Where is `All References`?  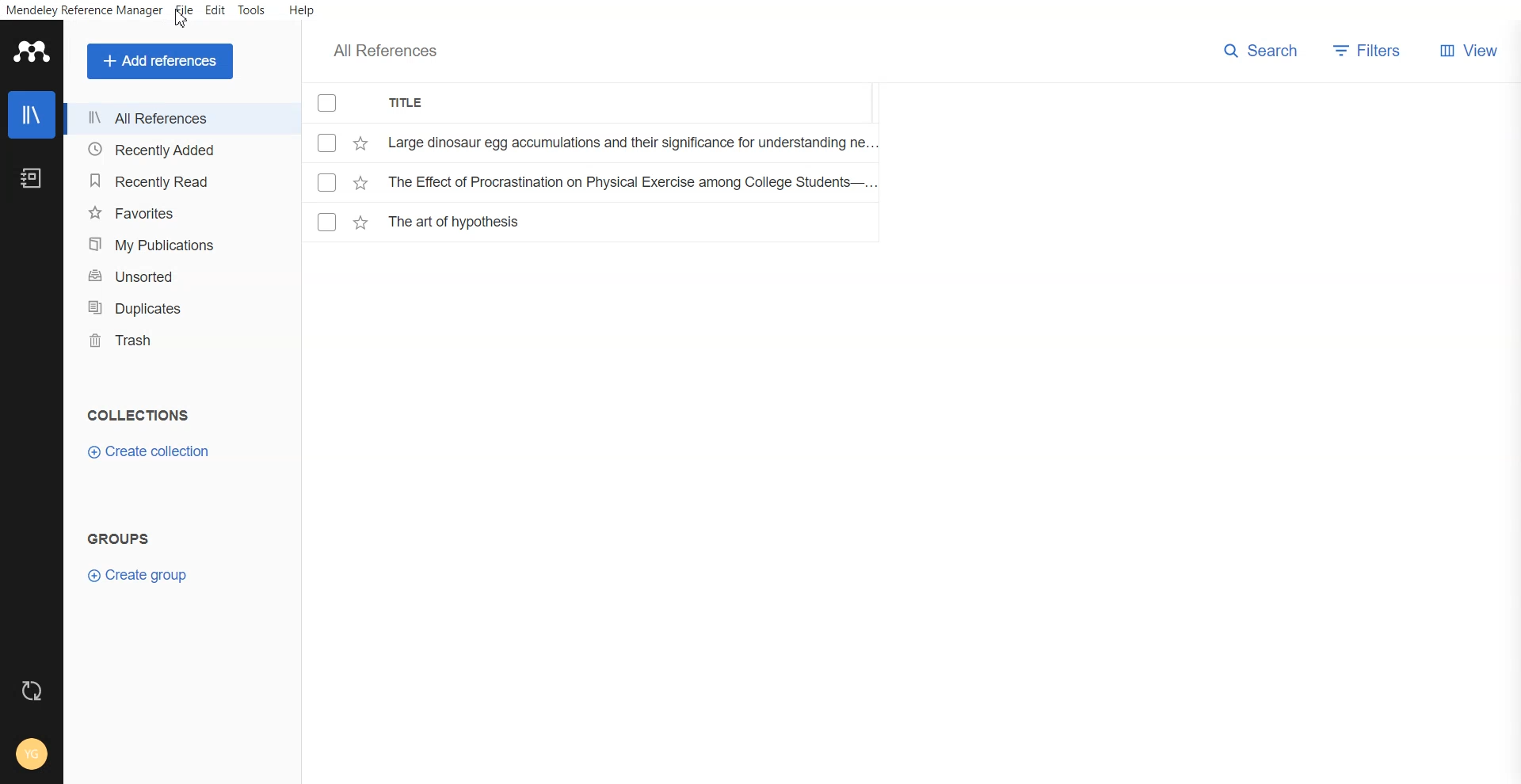
All References is located at coordinates (168, 120).